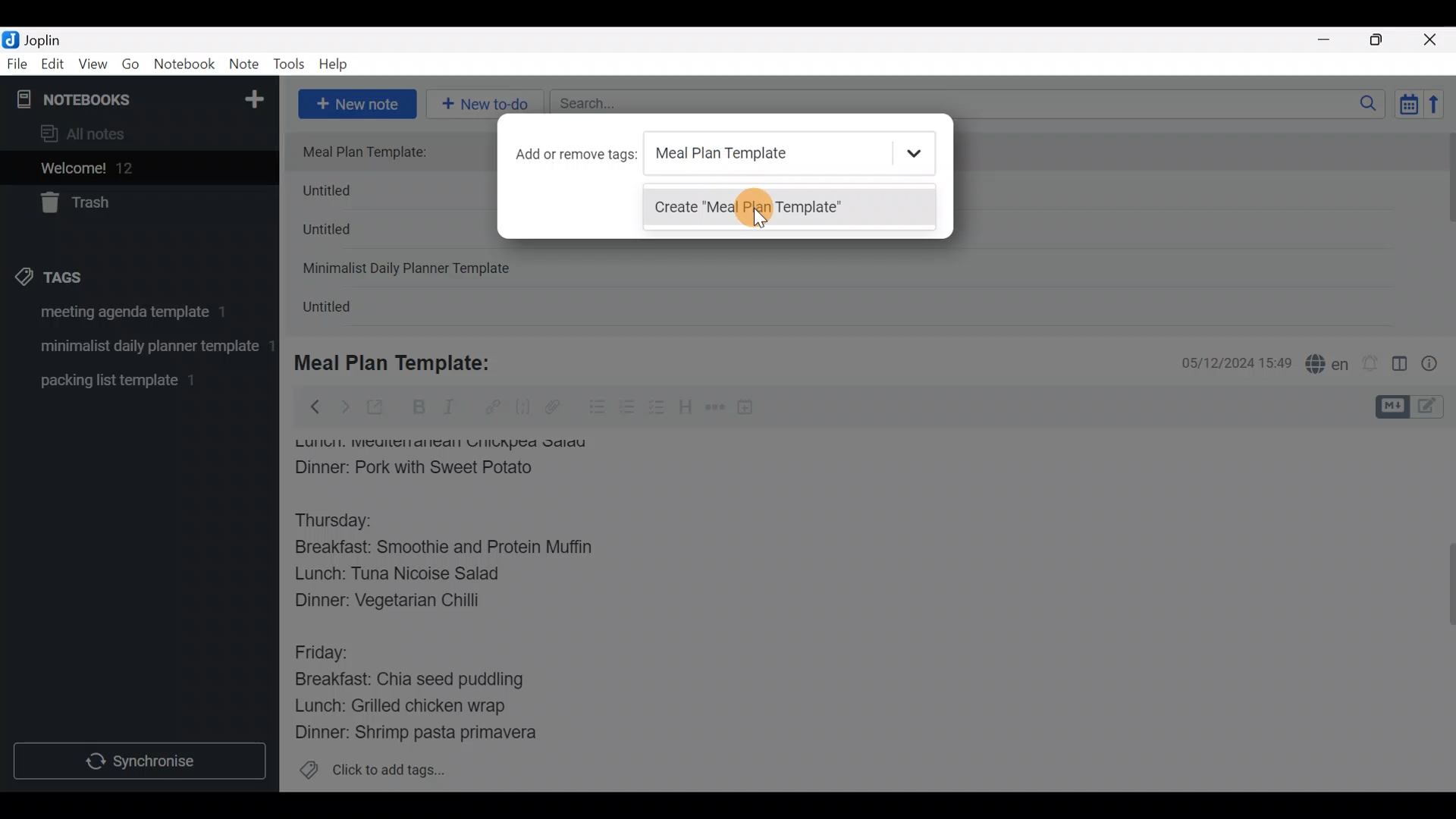 This screenshot has width=1456, height=819. I want to click on Untitled, so click(347, 234).